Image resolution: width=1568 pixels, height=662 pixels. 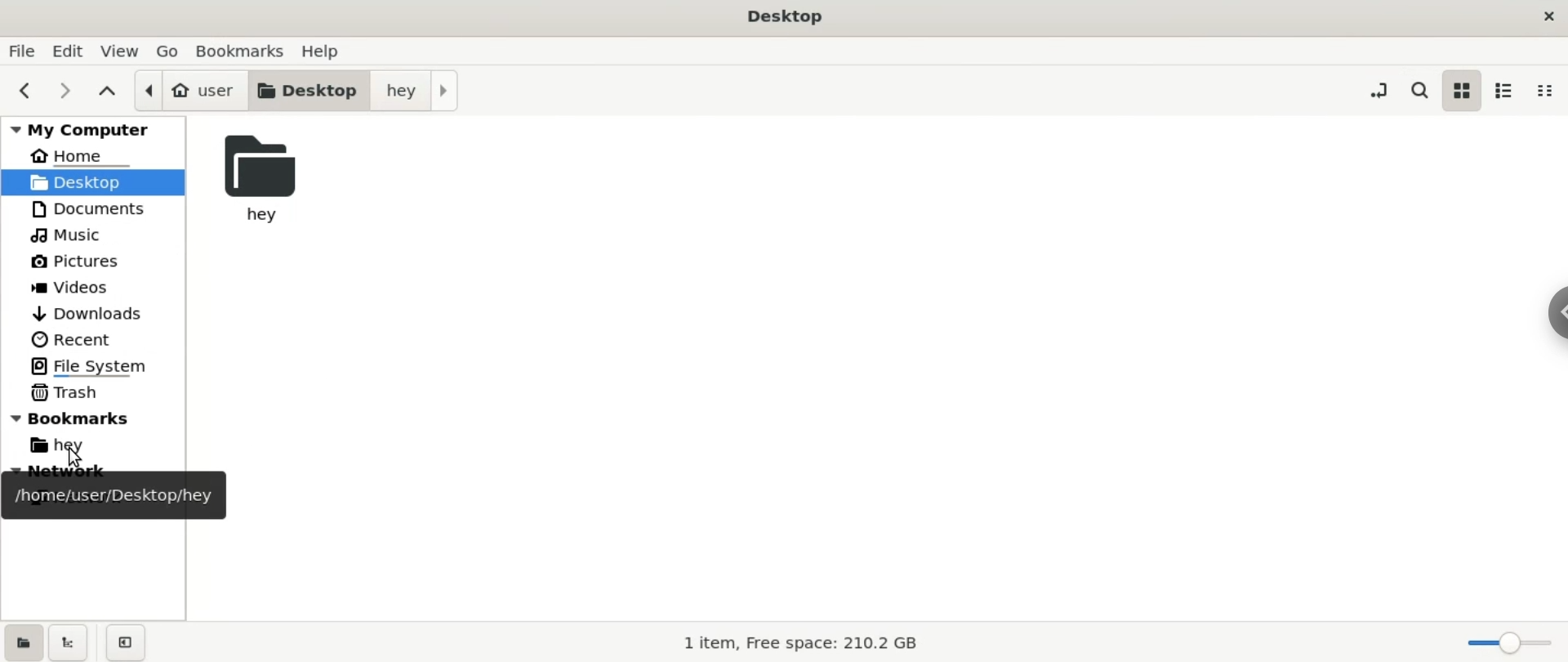 I want to click on home, so click(x=74, y=157).